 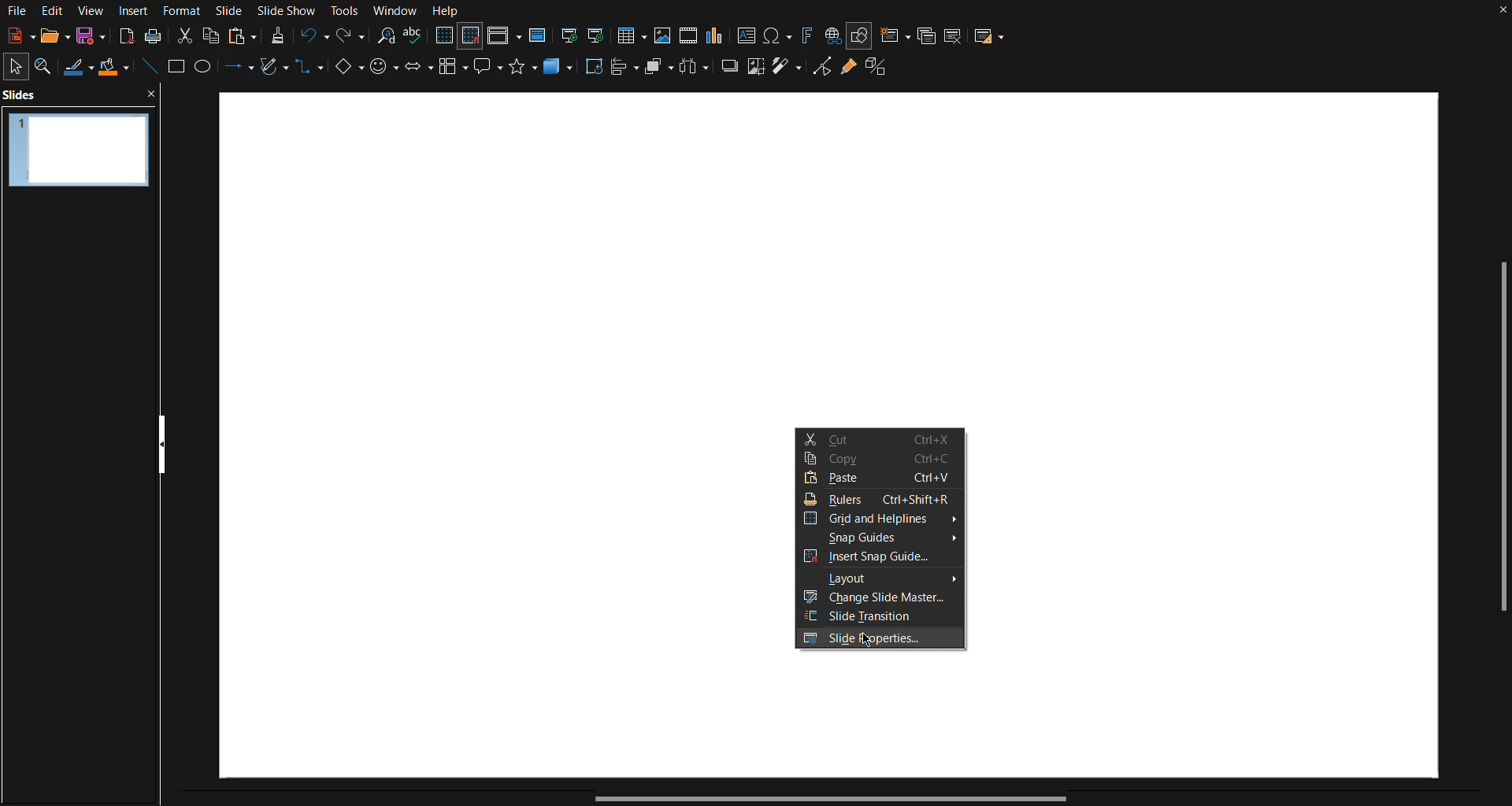 What do you see at coordinates (310, 73) in the screenshot?
I see `Connectors` at bounding box center [310, 73].